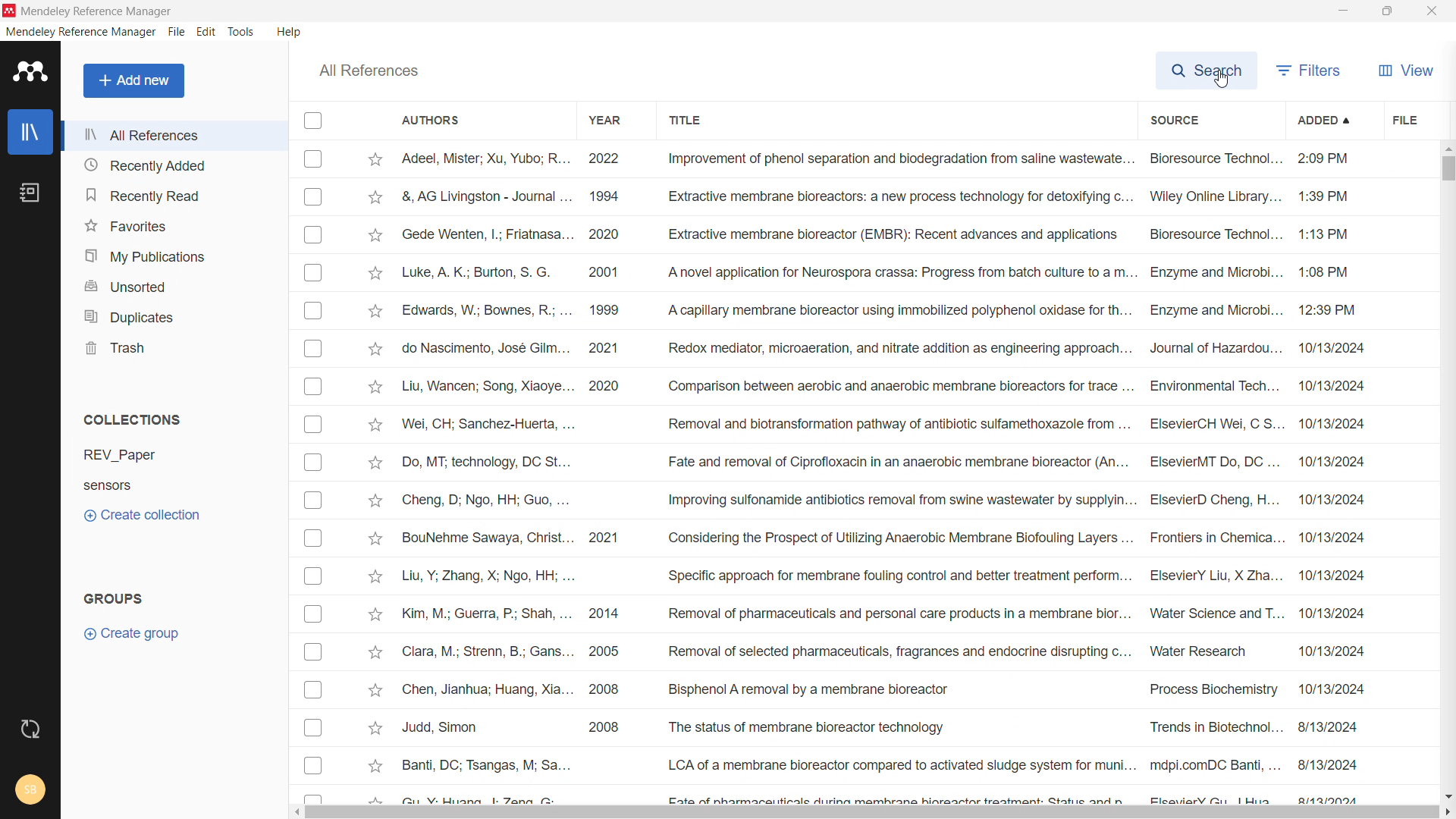 The width and height of the screenshot is (1456, 819). Describe the element at coordinates (314, 197) in the screenshot. I see `Checkbox` at that location.